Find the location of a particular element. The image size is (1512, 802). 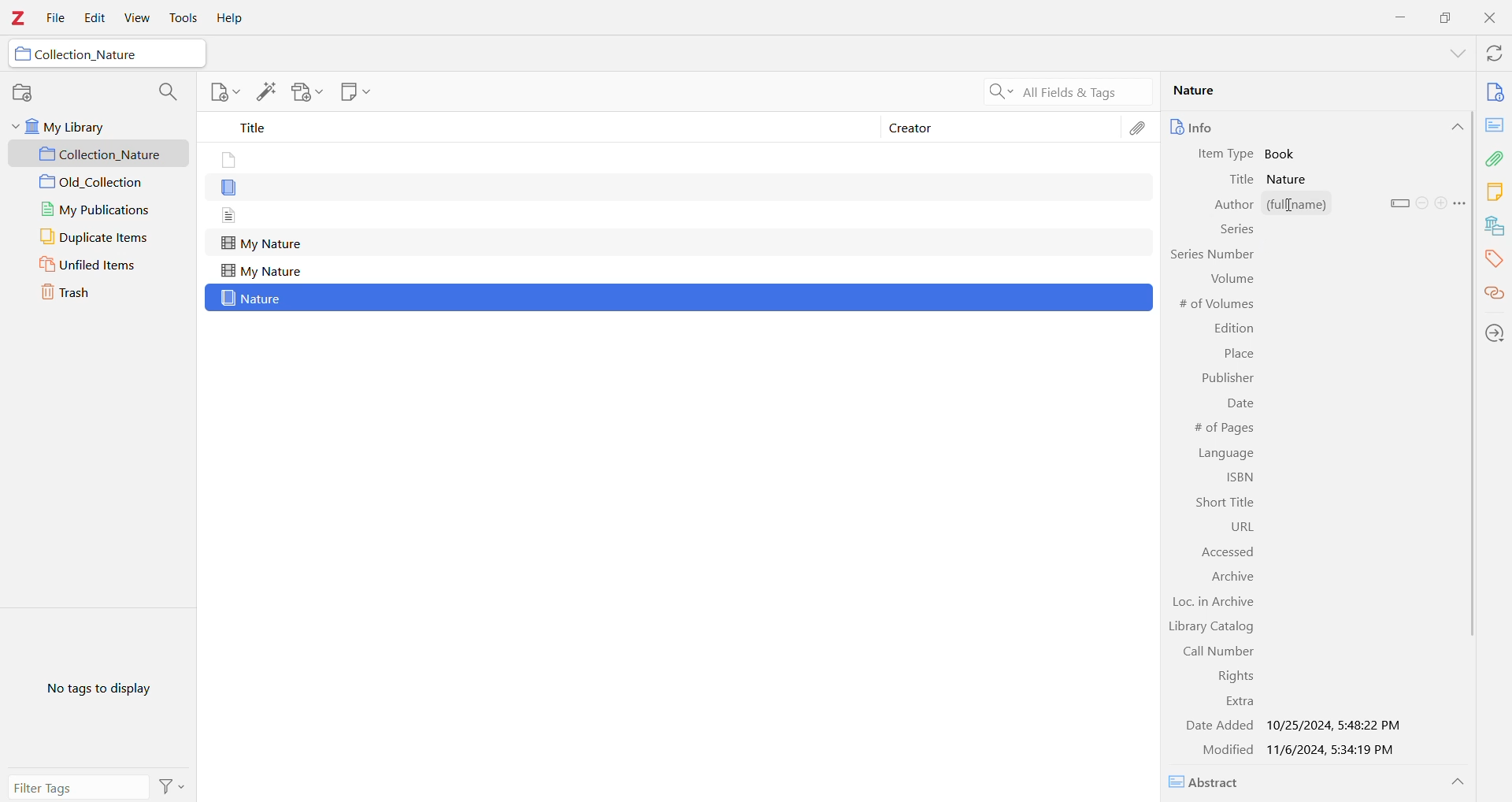

ISBN is located at coordinates (1237, 479).